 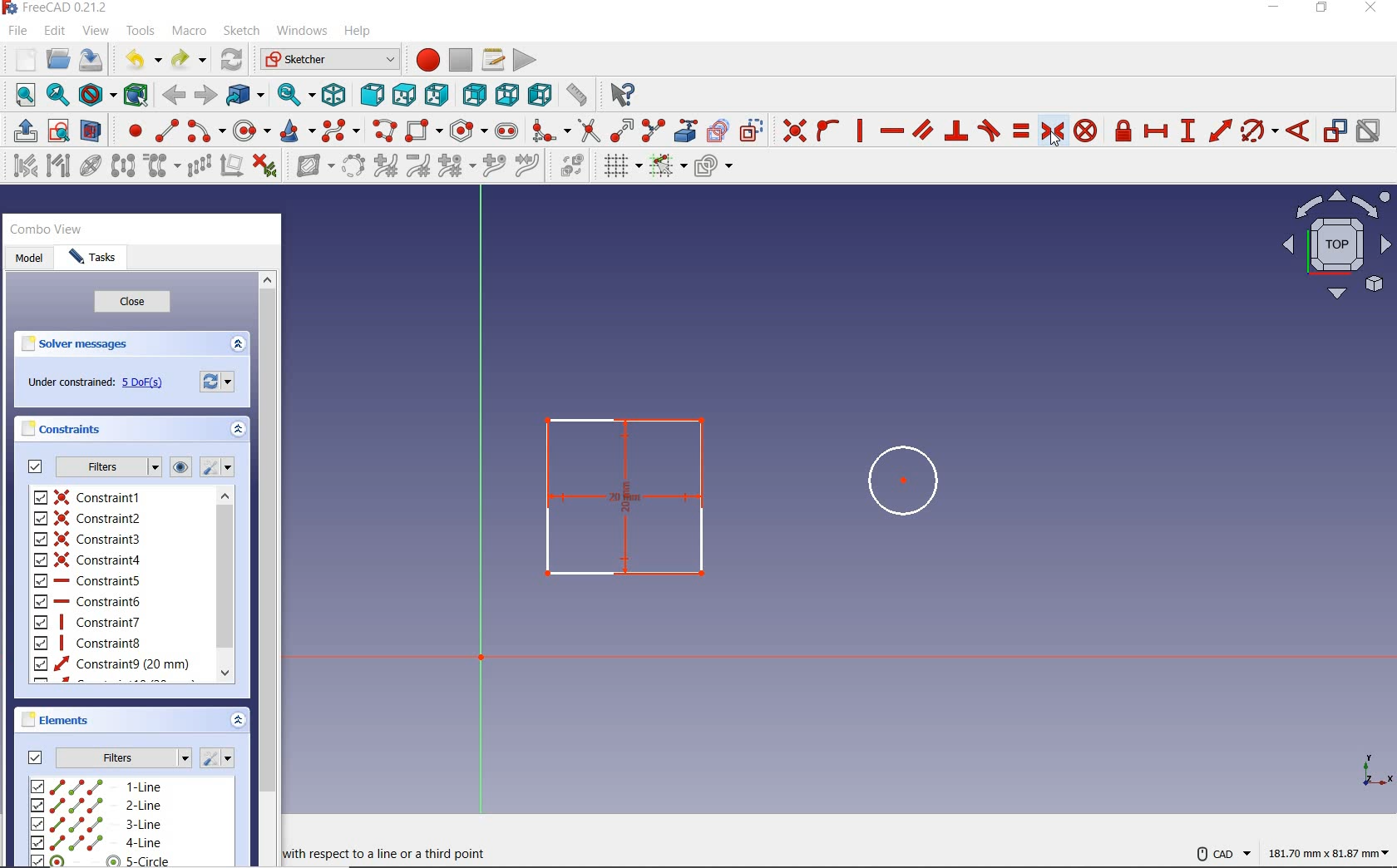 What do you see at coordinates (1330, 855) in the screenshot?
I see `181.70 mm x 81.87 mm` at bounding box center [1330, 855].